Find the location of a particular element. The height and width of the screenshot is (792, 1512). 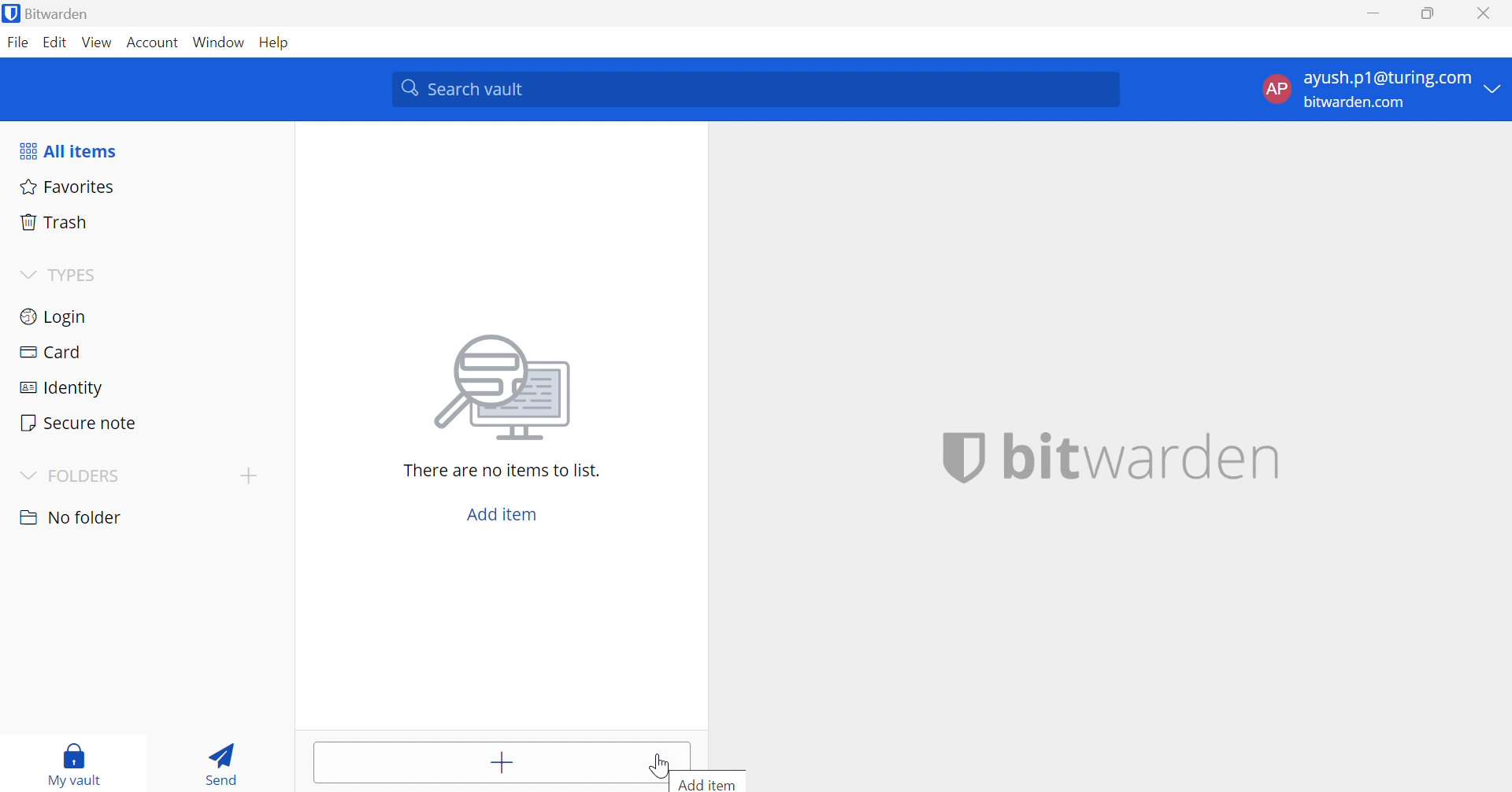

nO FOLDER is located at coordinates (74, 517).